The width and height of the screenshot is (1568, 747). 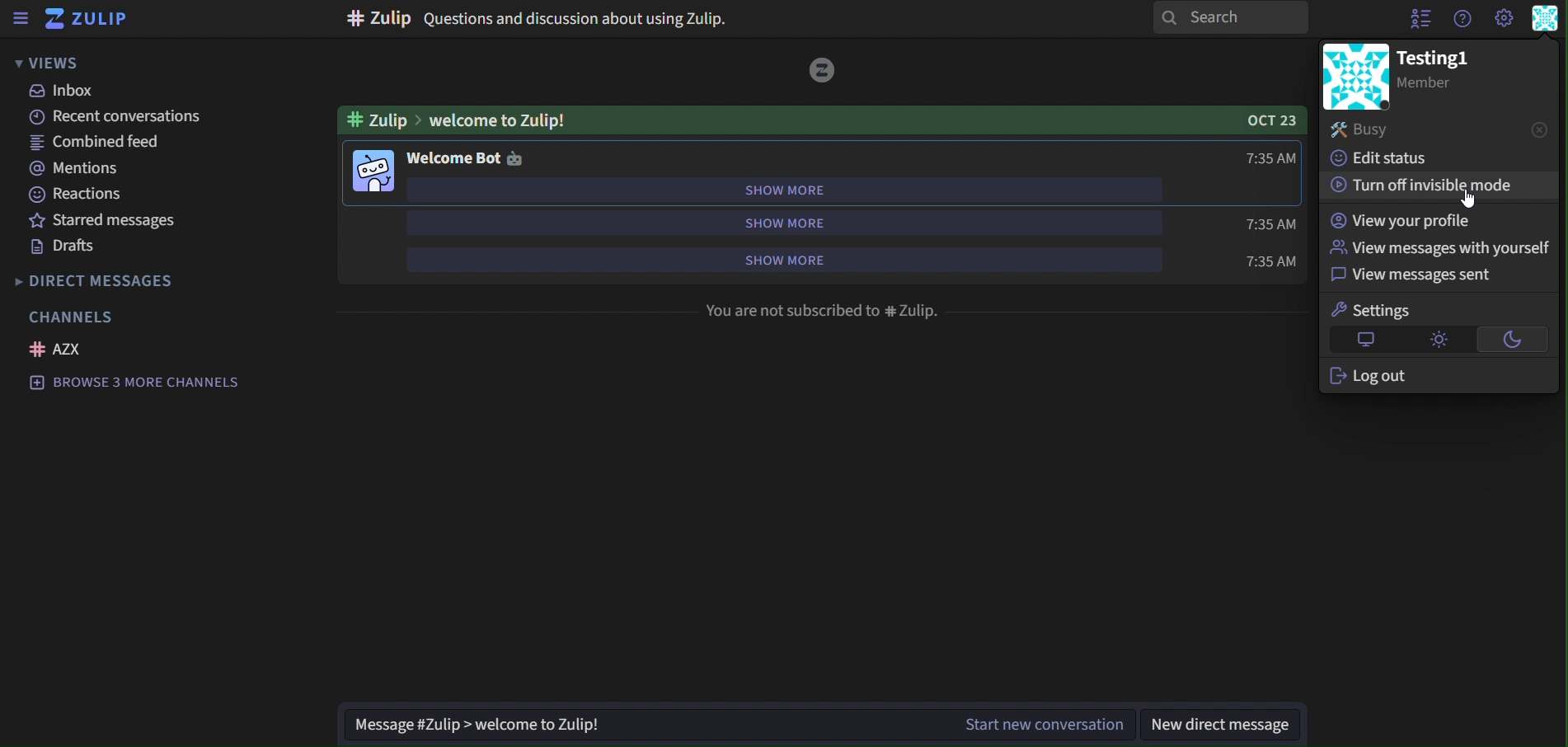 What do you see at coordinates (65, 64) in the screenshot?
I see `views` at bounding box center [65, 64].